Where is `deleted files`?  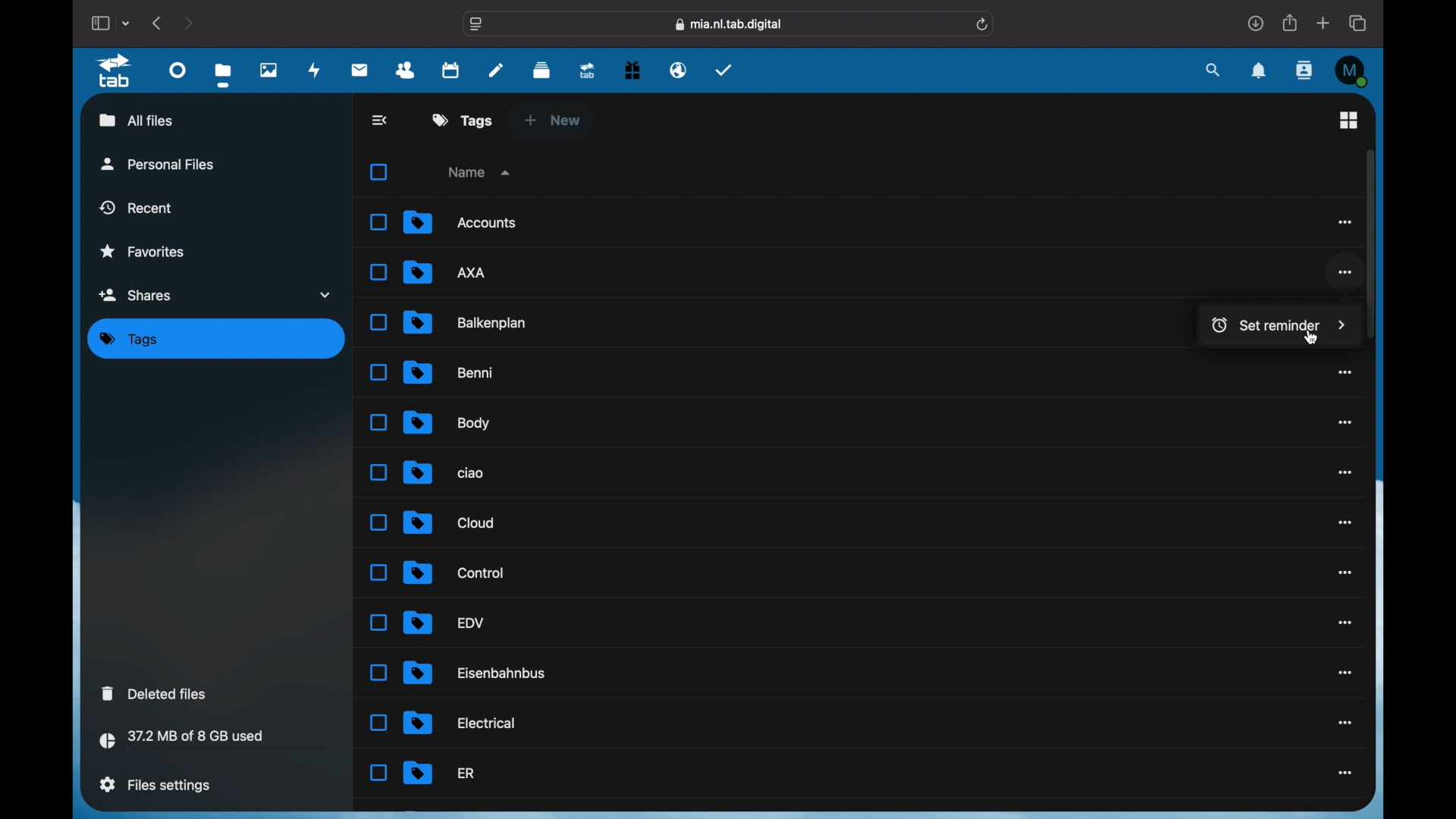
deleted files is located at coordinates (154, 693).